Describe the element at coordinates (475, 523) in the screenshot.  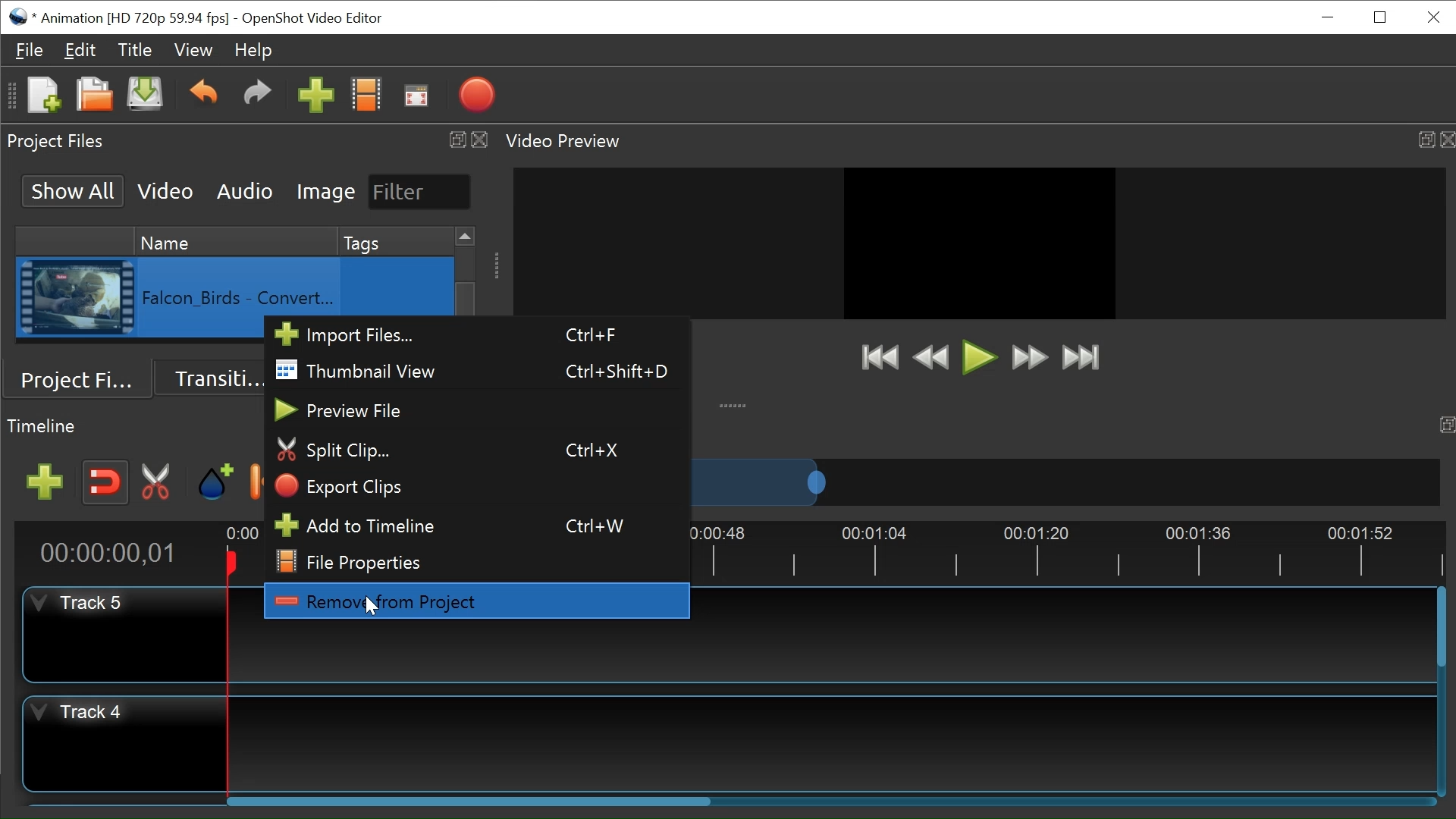
I see `Add to Timeline` at that location.